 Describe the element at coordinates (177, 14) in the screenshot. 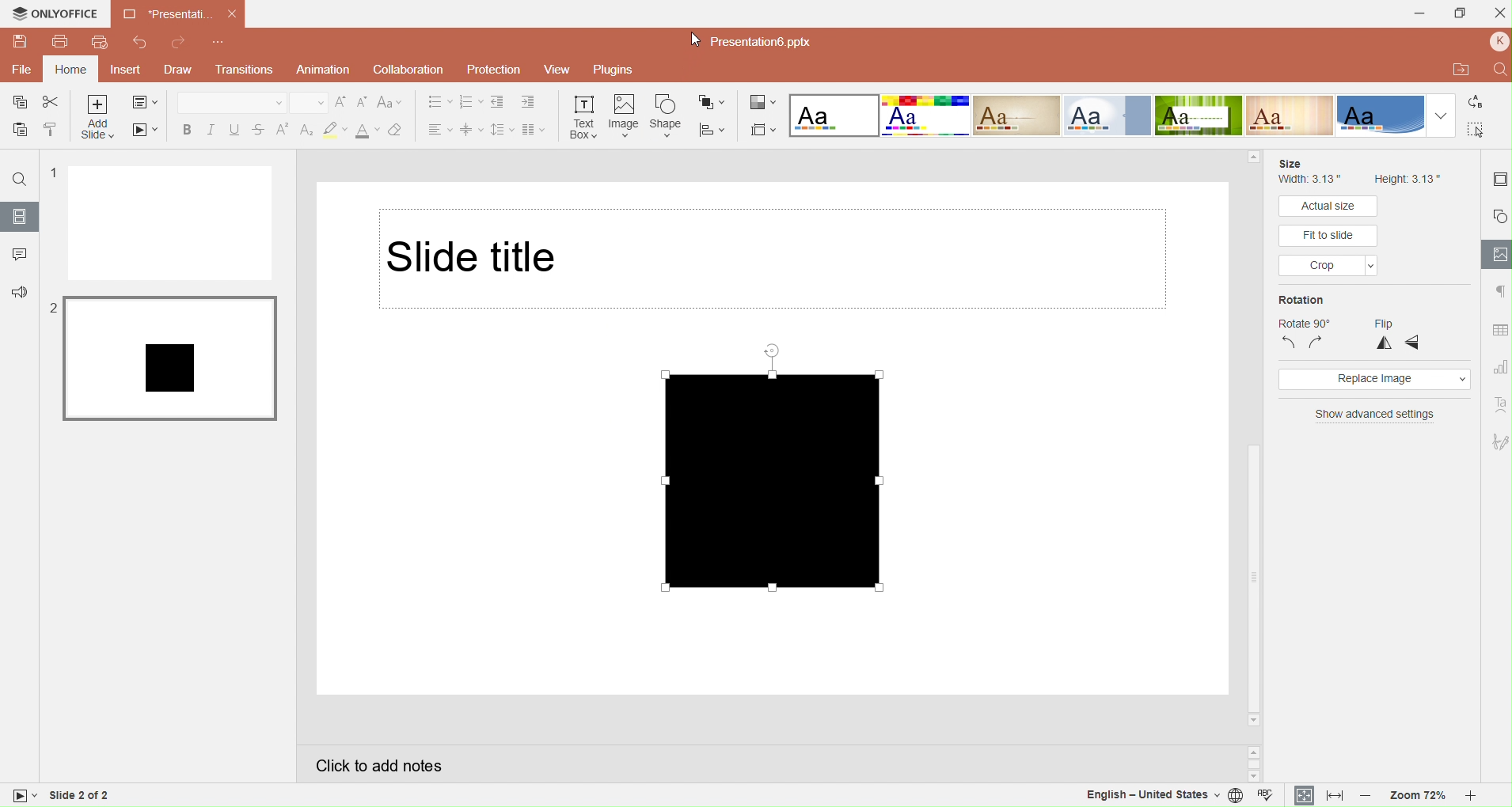

I see `Presentation Tab` at that location.